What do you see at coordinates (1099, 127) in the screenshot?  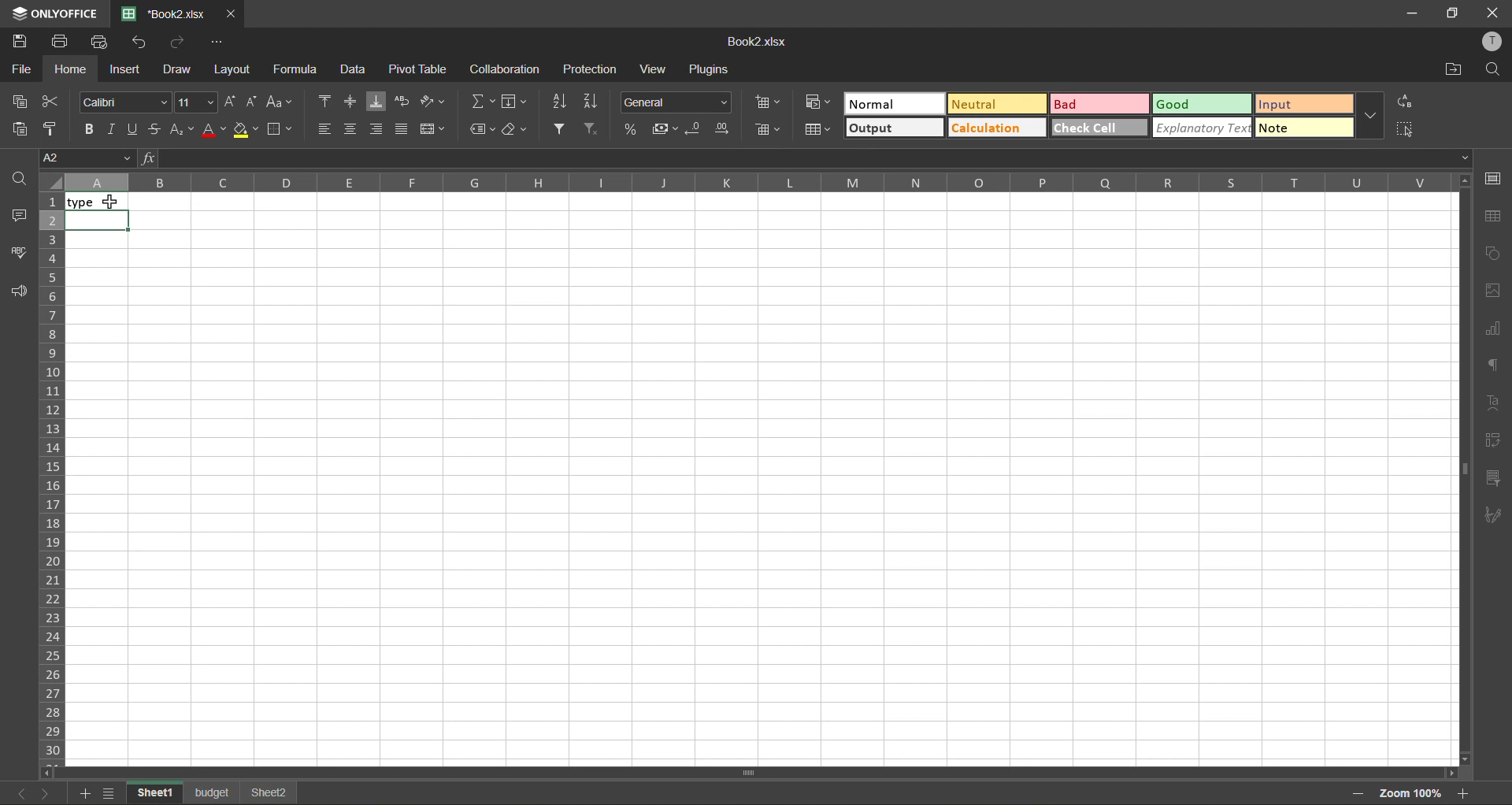 I see `check cell` at bounding box center [1099, 127].